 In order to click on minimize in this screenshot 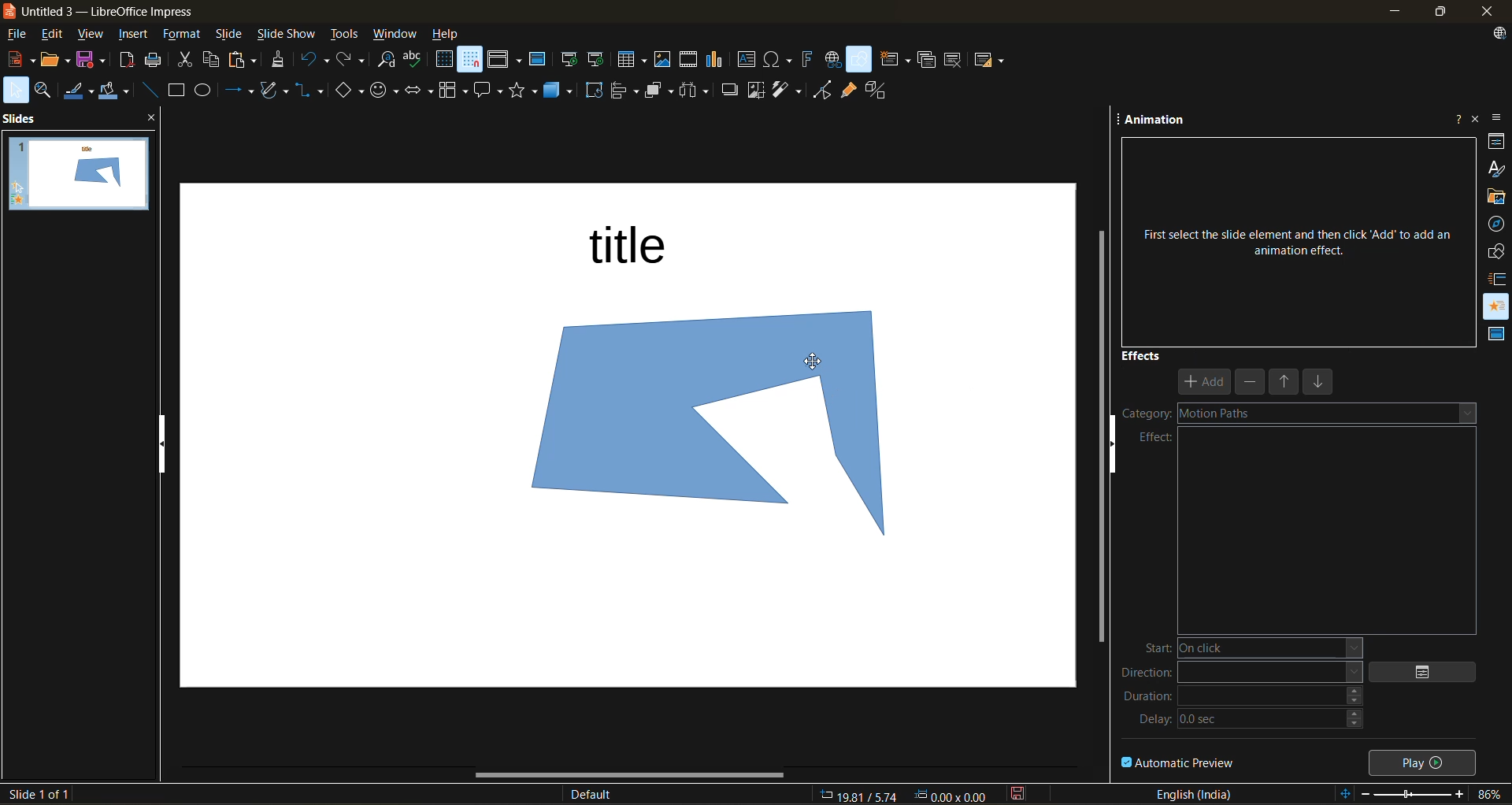, I will do `click(1392, 13)`.